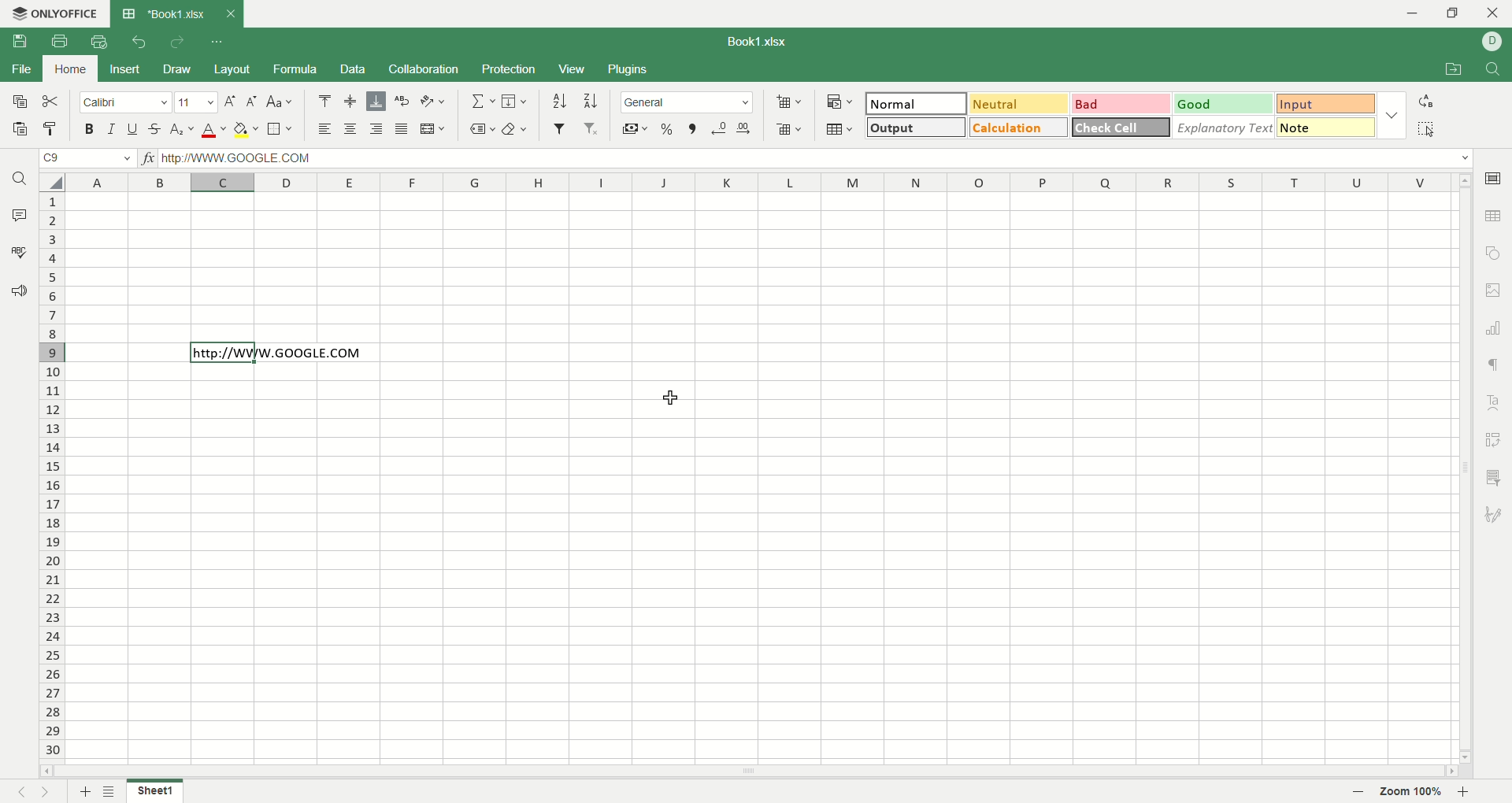 This screenshot has width=1512, height=803. I want to click on formula, so click(292, 68).